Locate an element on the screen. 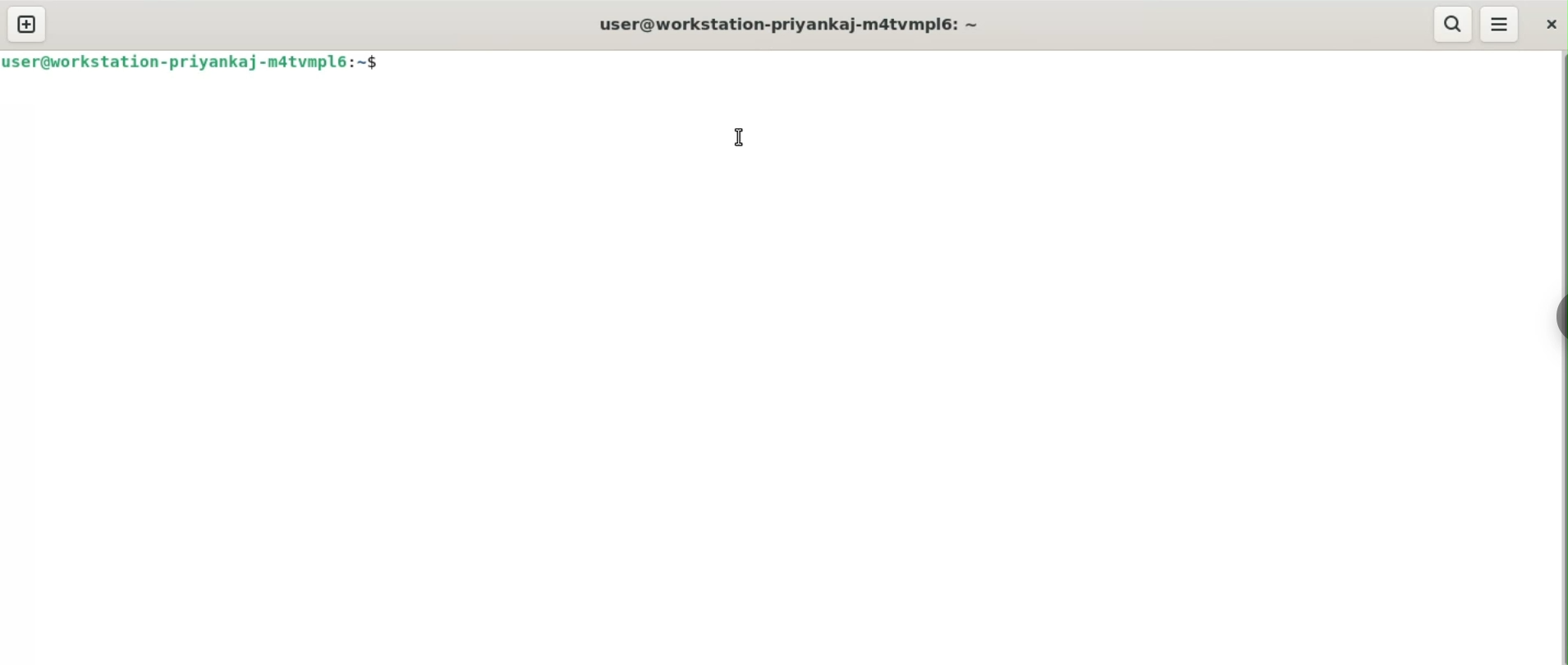 This screenshot has height=665, width=1568. user@workstation-priyankaj-m4tvmpl6:- is located at coordinates (800, 24).